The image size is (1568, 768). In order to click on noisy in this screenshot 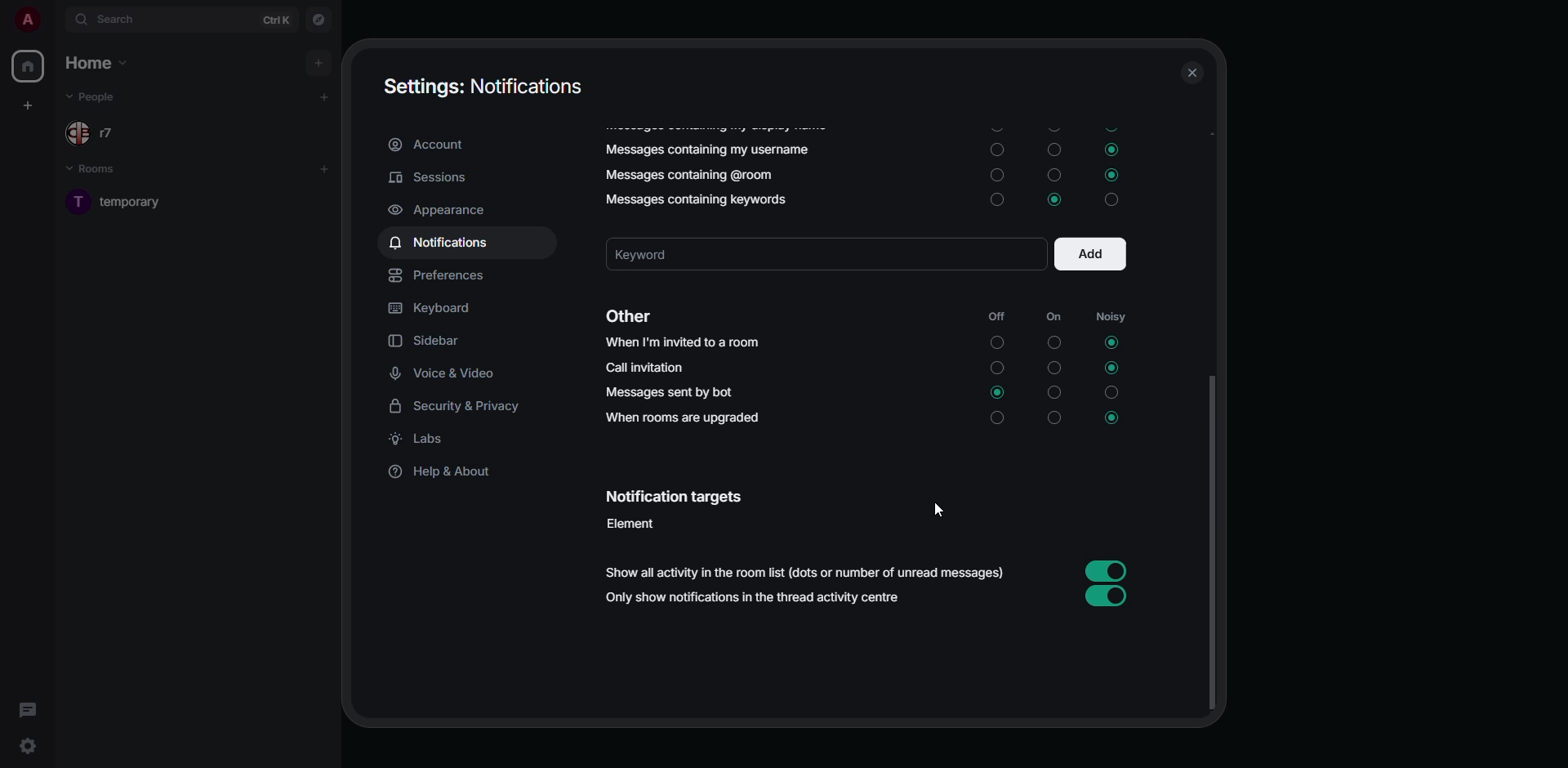, I will do `click(1110, 316)`.